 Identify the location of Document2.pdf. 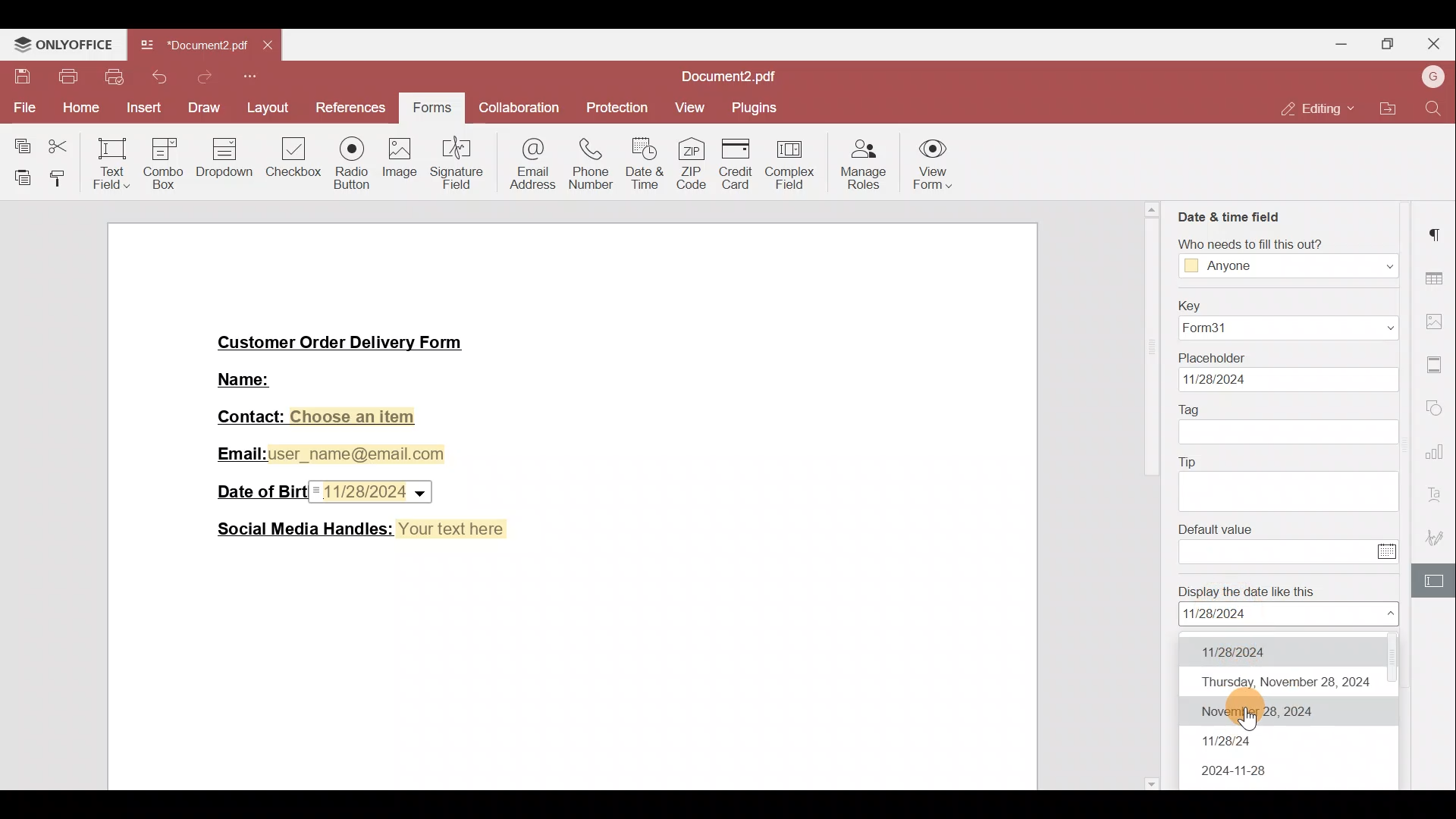
(720, 77).